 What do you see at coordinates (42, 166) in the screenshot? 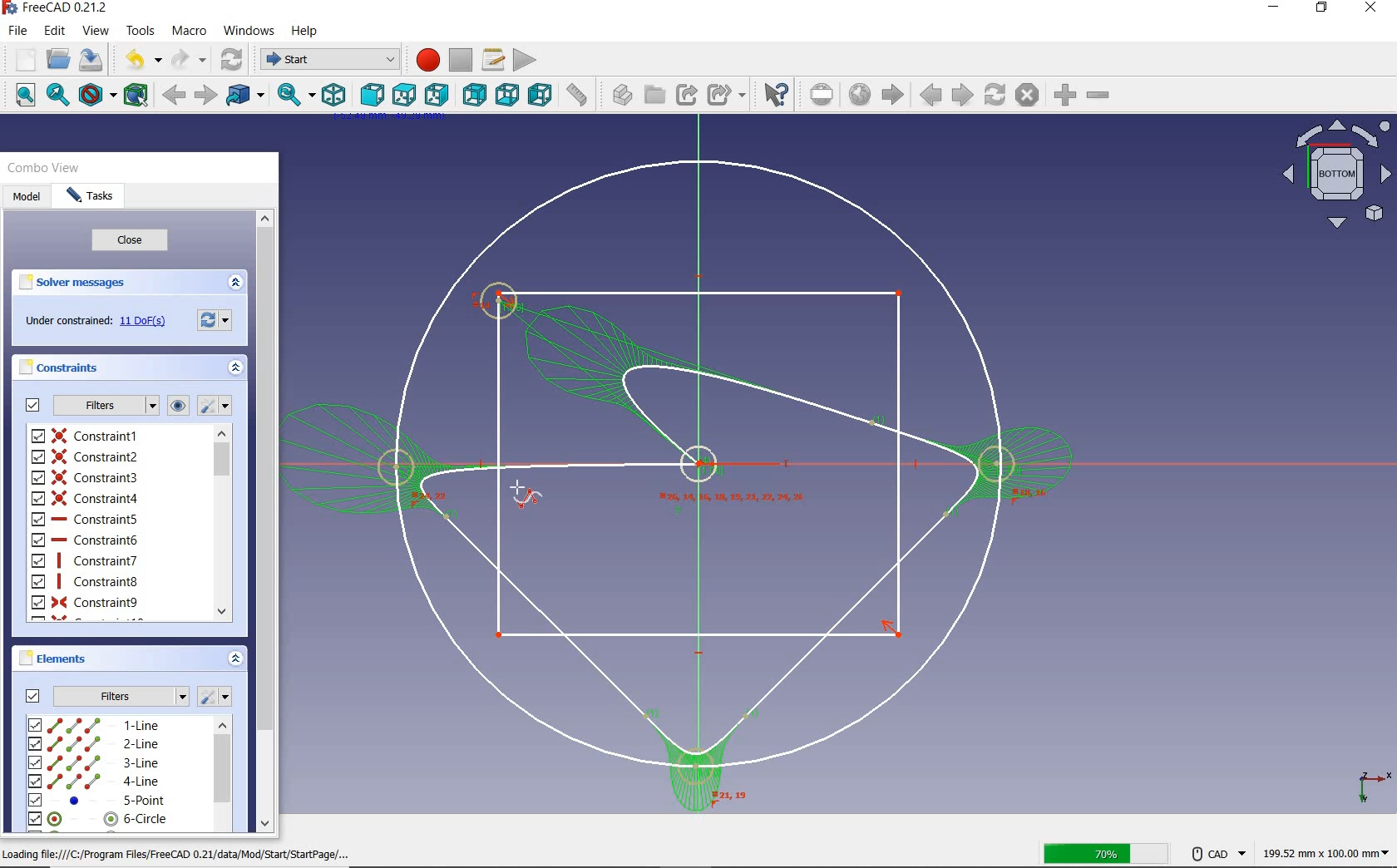
I see `combo view` at bounding box center [42, 166].